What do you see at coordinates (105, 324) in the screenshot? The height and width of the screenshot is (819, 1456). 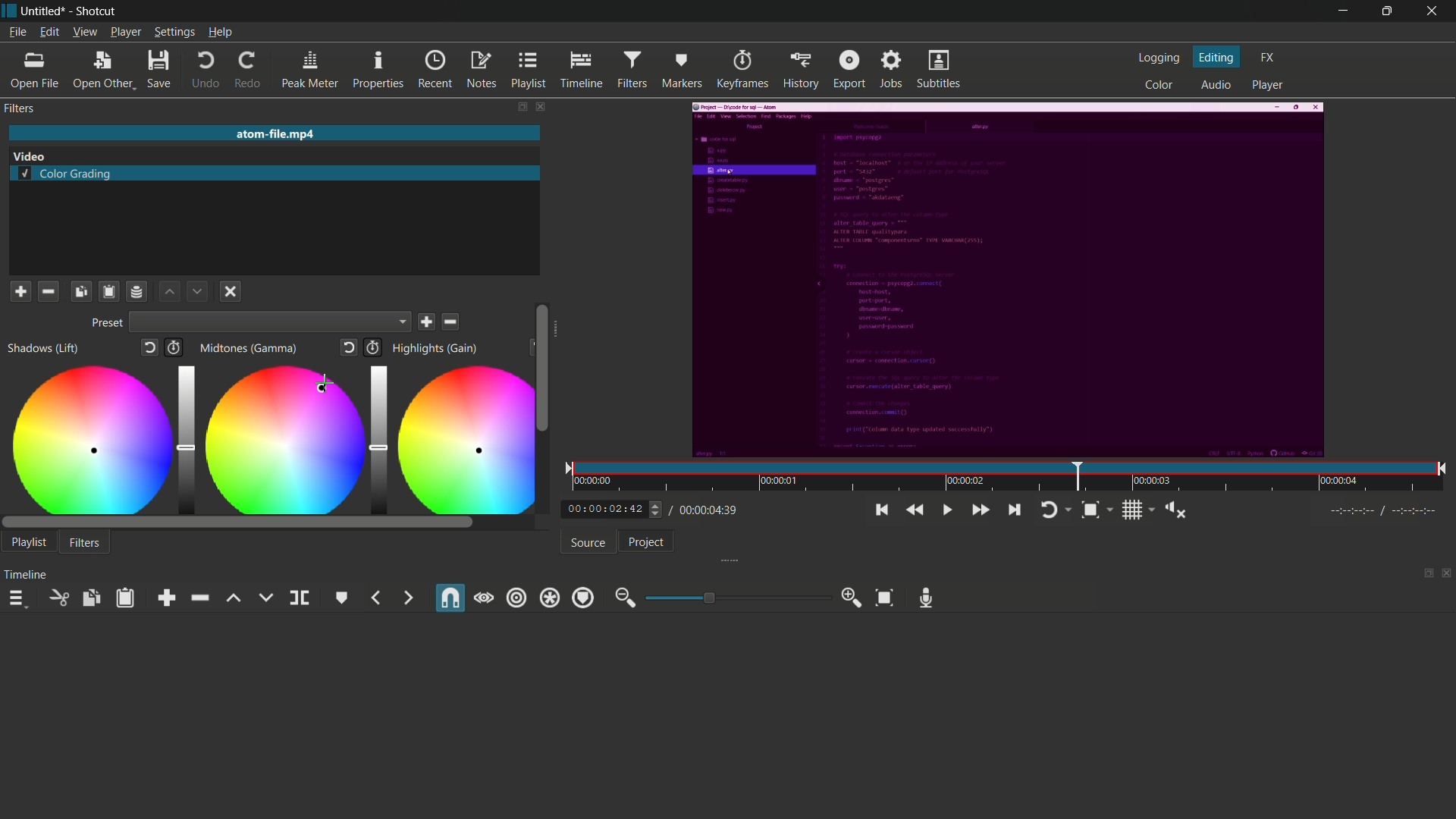 I see `Present` at bounding box center [105, 324].